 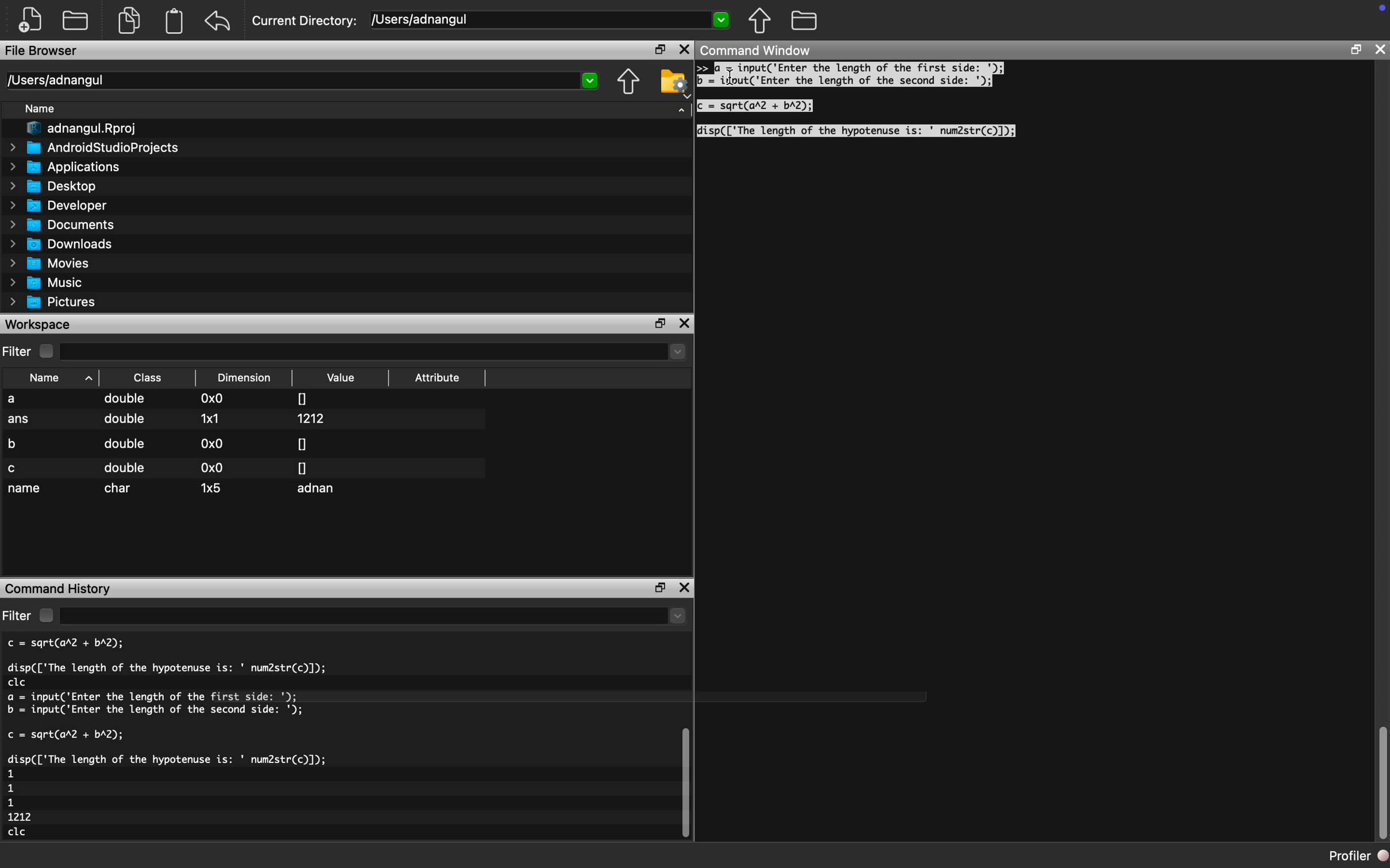 What do you see at coordinates (43, 52) in the screenshot?
I see `File Browser` at bounding box center [43, 52].